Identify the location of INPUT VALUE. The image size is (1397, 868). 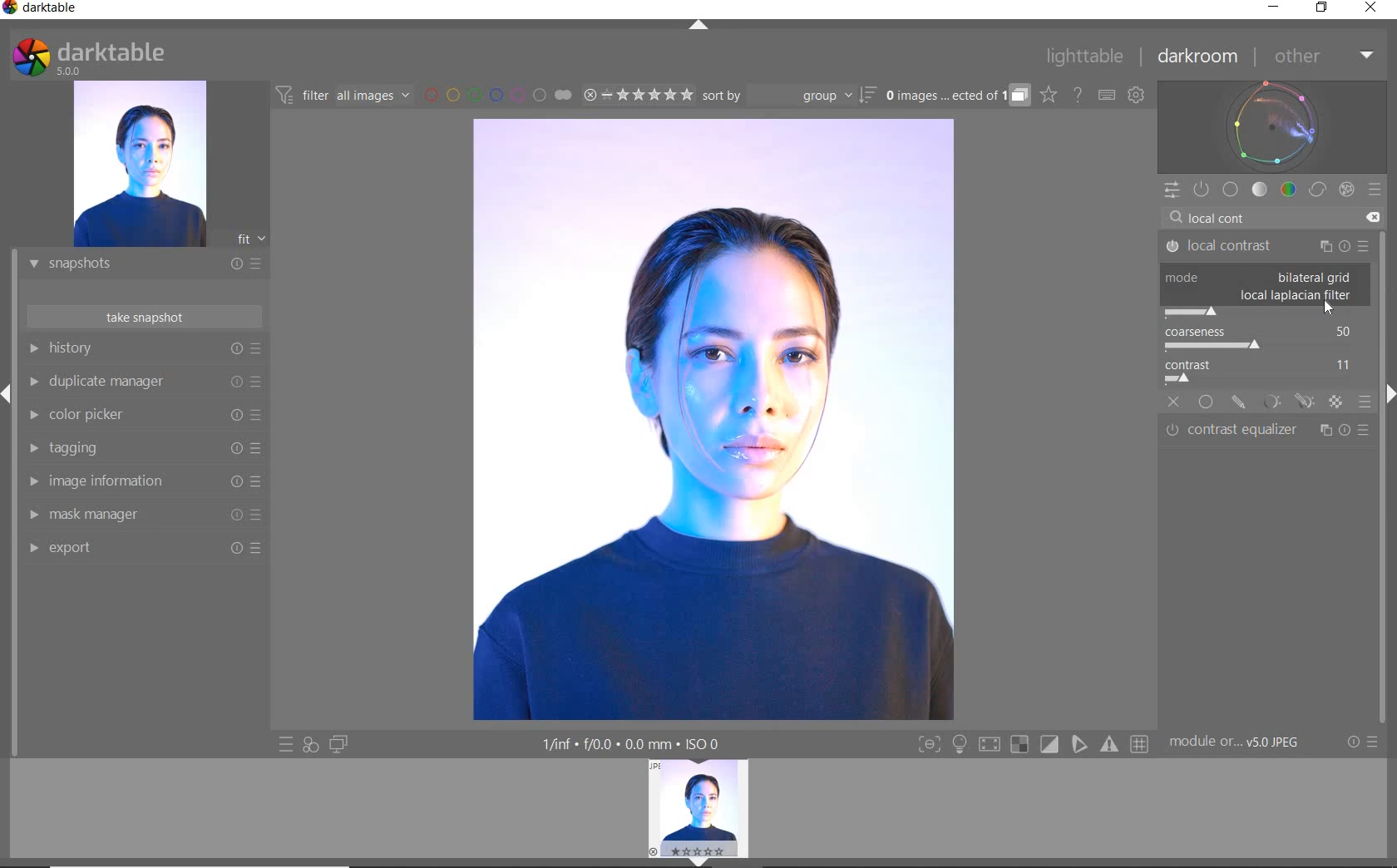
(1227, 216).